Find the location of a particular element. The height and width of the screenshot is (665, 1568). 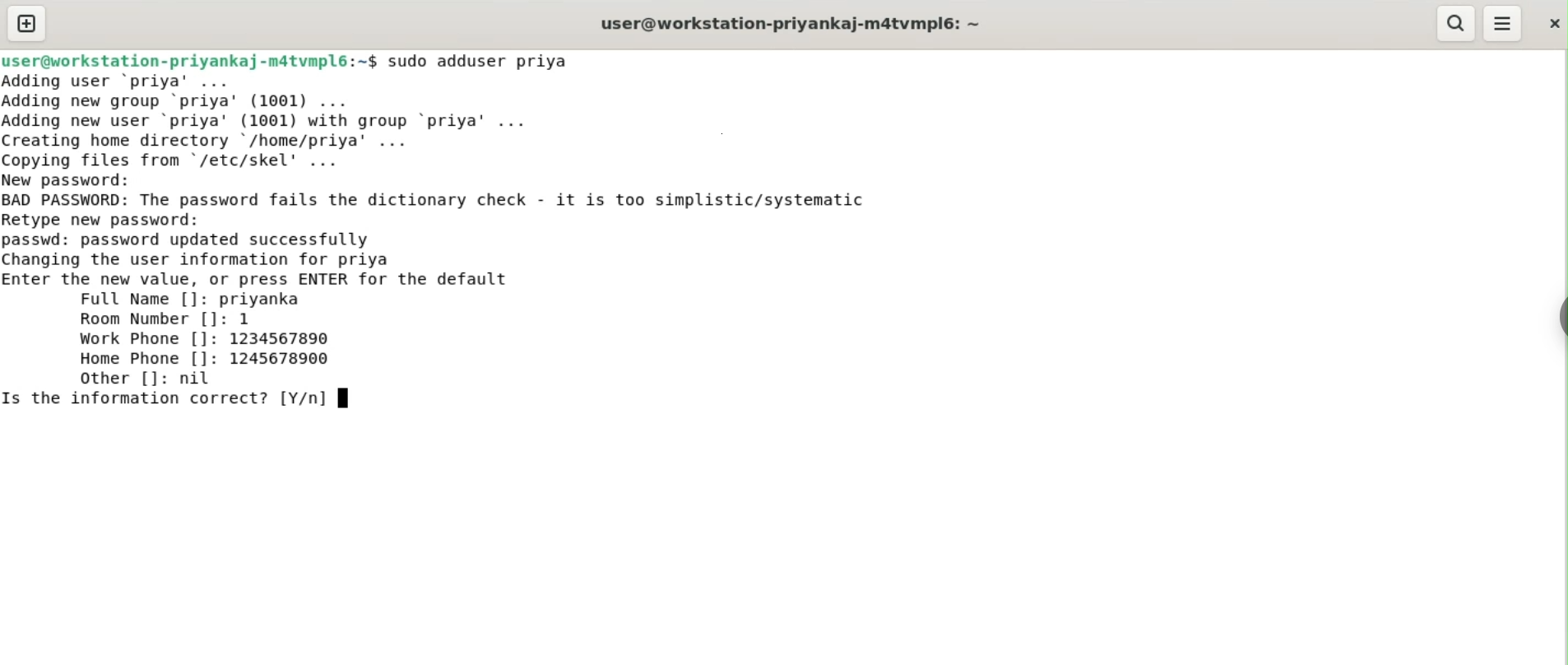

retype new password: is located at coordinates (114, 219).